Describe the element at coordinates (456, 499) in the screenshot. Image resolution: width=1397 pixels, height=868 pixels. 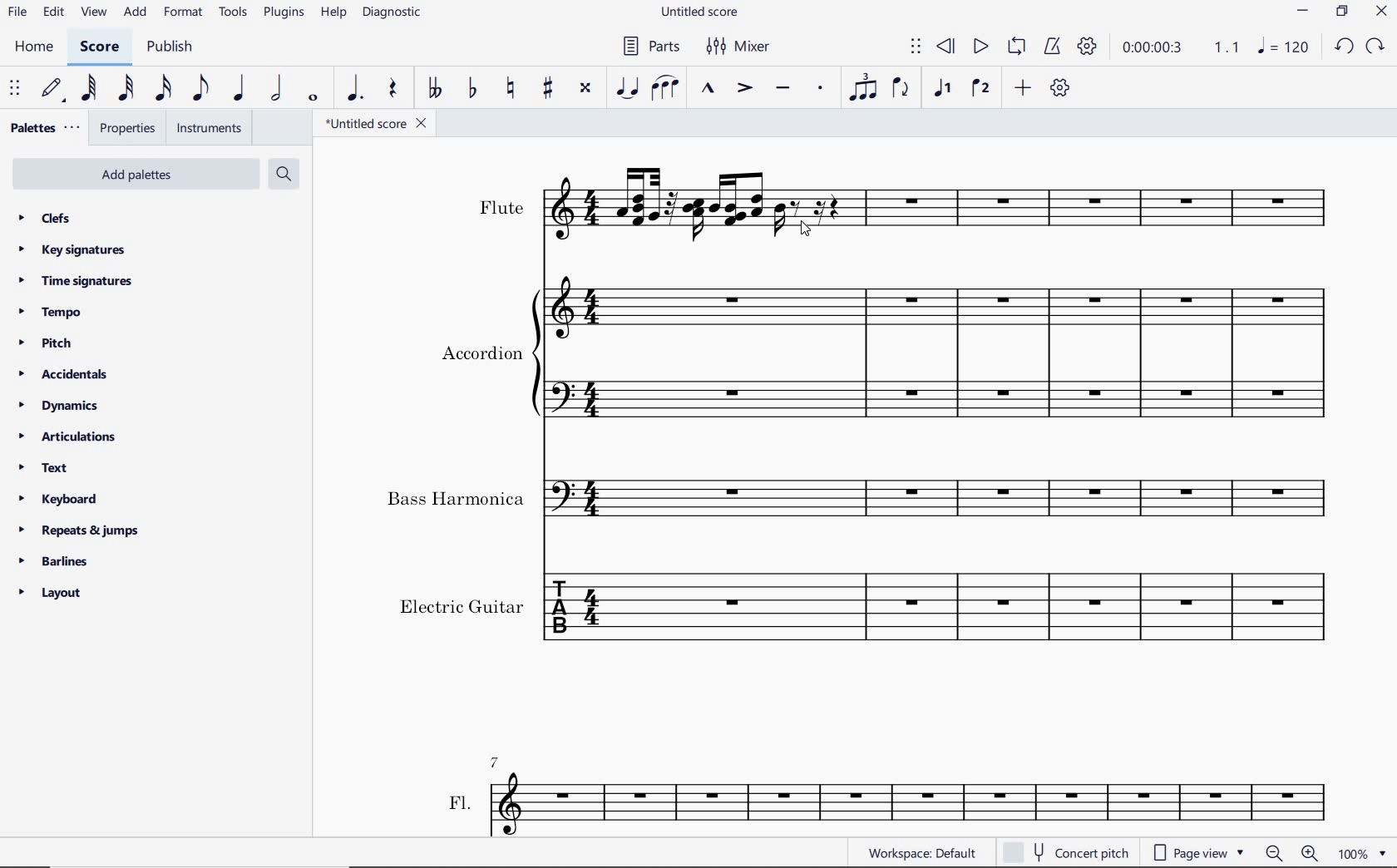
I see `text` at that location.